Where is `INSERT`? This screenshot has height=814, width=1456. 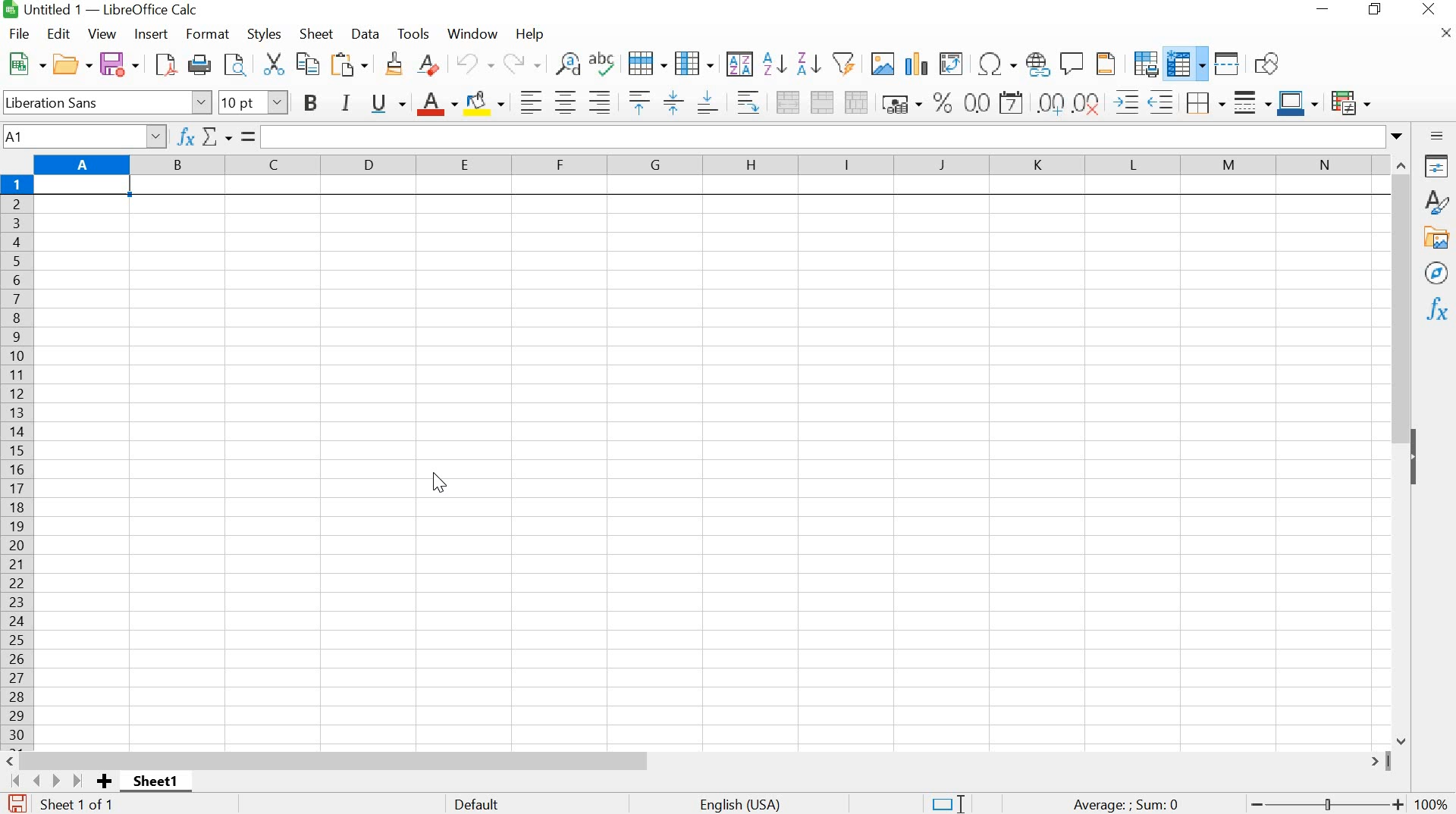 INSERT is located at coordinates (152, 34).